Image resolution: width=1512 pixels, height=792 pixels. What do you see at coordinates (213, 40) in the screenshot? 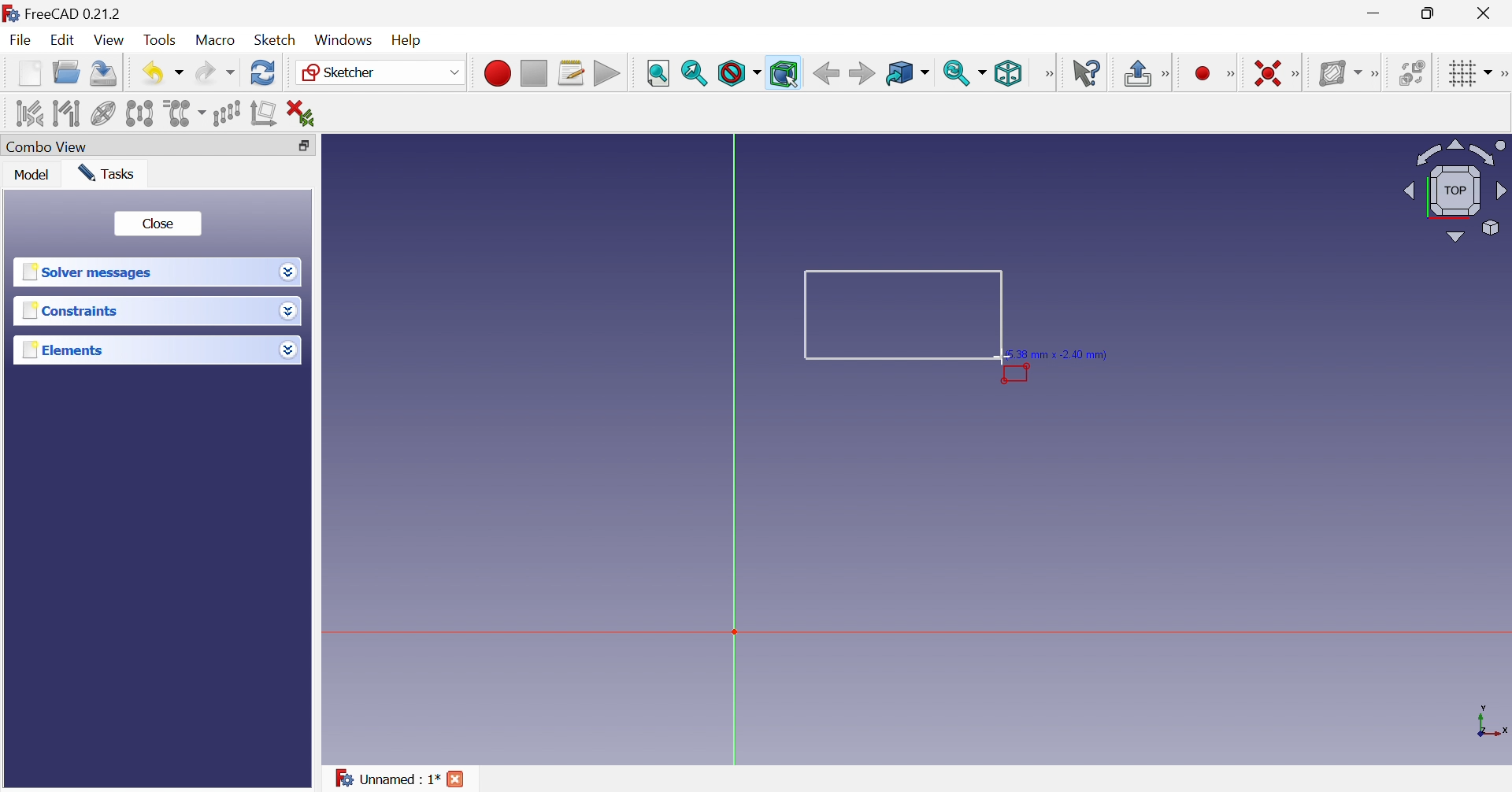
I see `Macro` at bounding box center [213, 40].